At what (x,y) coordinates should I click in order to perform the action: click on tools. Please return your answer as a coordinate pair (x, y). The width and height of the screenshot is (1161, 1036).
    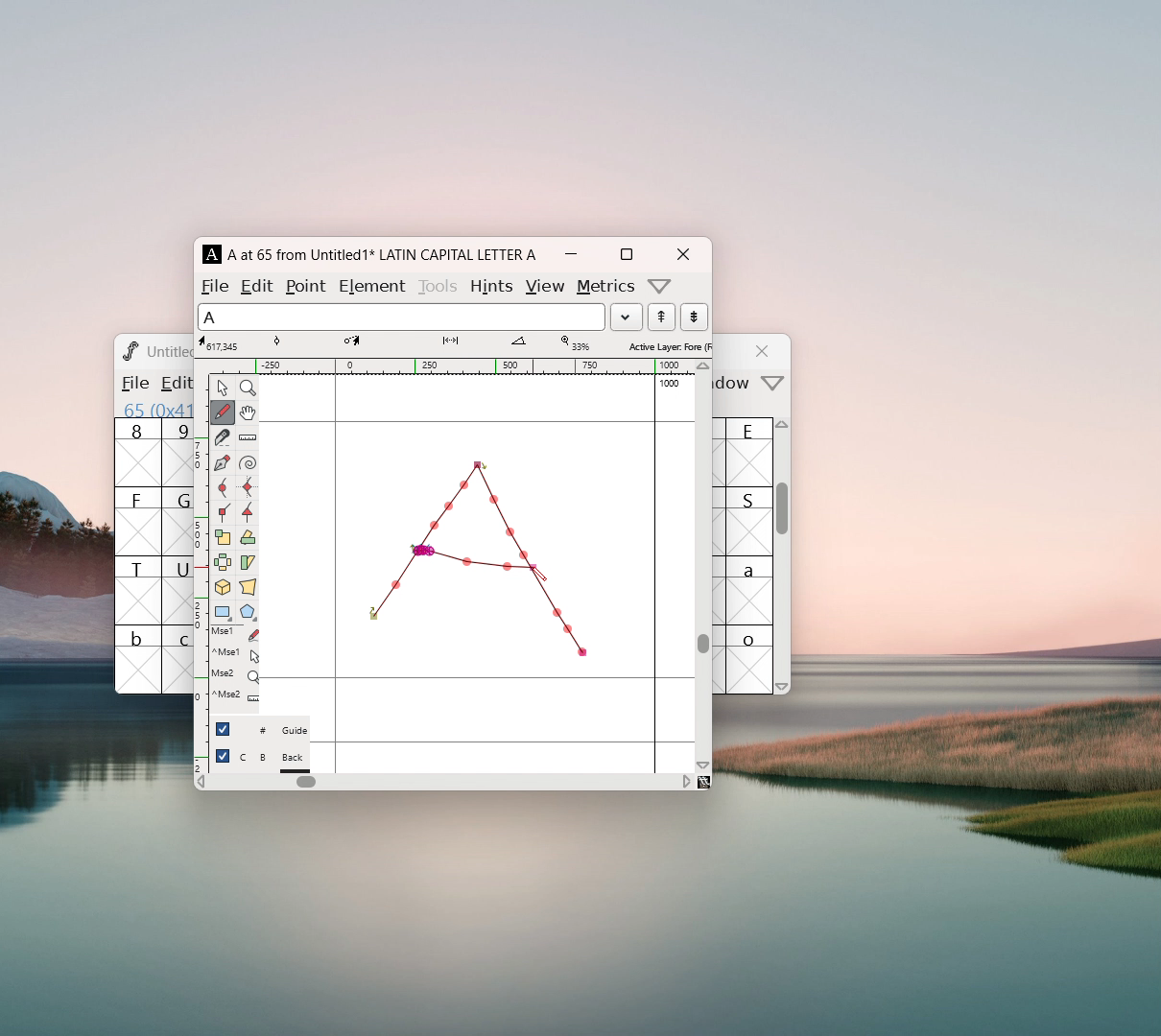
    Looking at the image, I should click on (439, 284).